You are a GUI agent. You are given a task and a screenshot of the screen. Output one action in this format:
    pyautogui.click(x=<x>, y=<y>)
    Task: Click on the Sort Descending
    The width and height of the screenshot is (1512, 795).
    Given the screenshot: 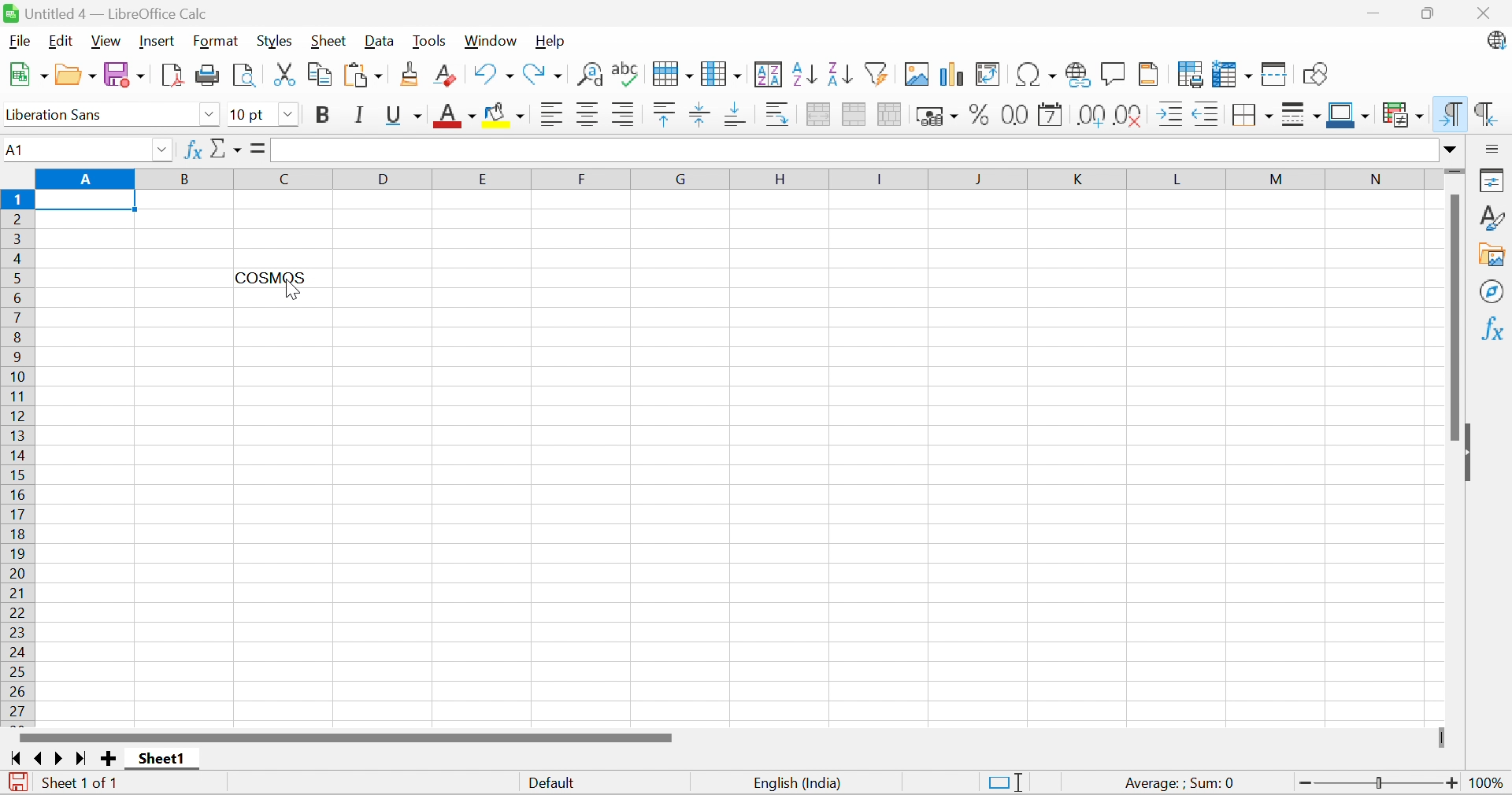 What is the action you would take?
    pyautogui.click(x=838, y=72)
    